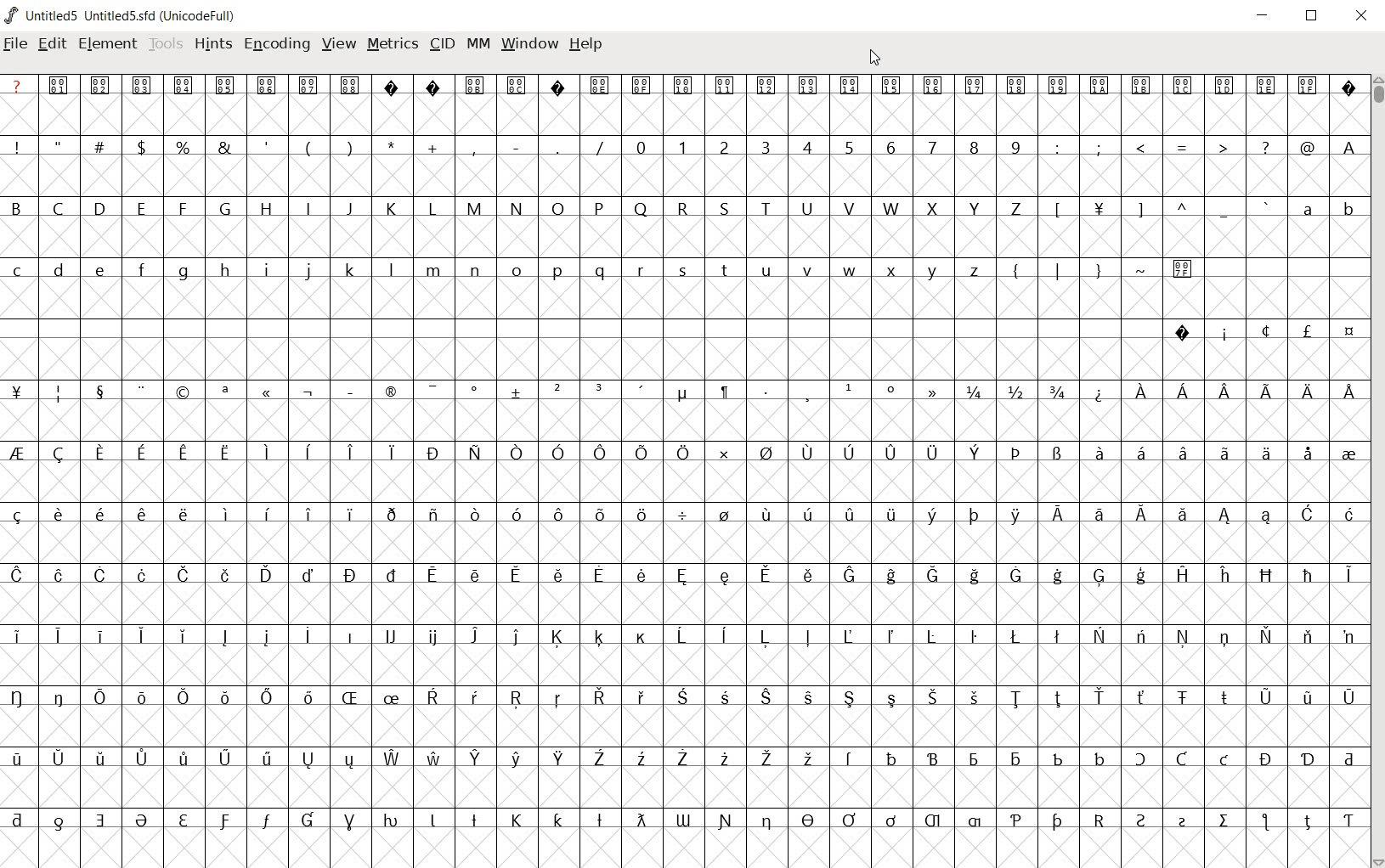  Describe the element at coordinates (1017, 698) in the screenshot. I see `Symbol` at that location.